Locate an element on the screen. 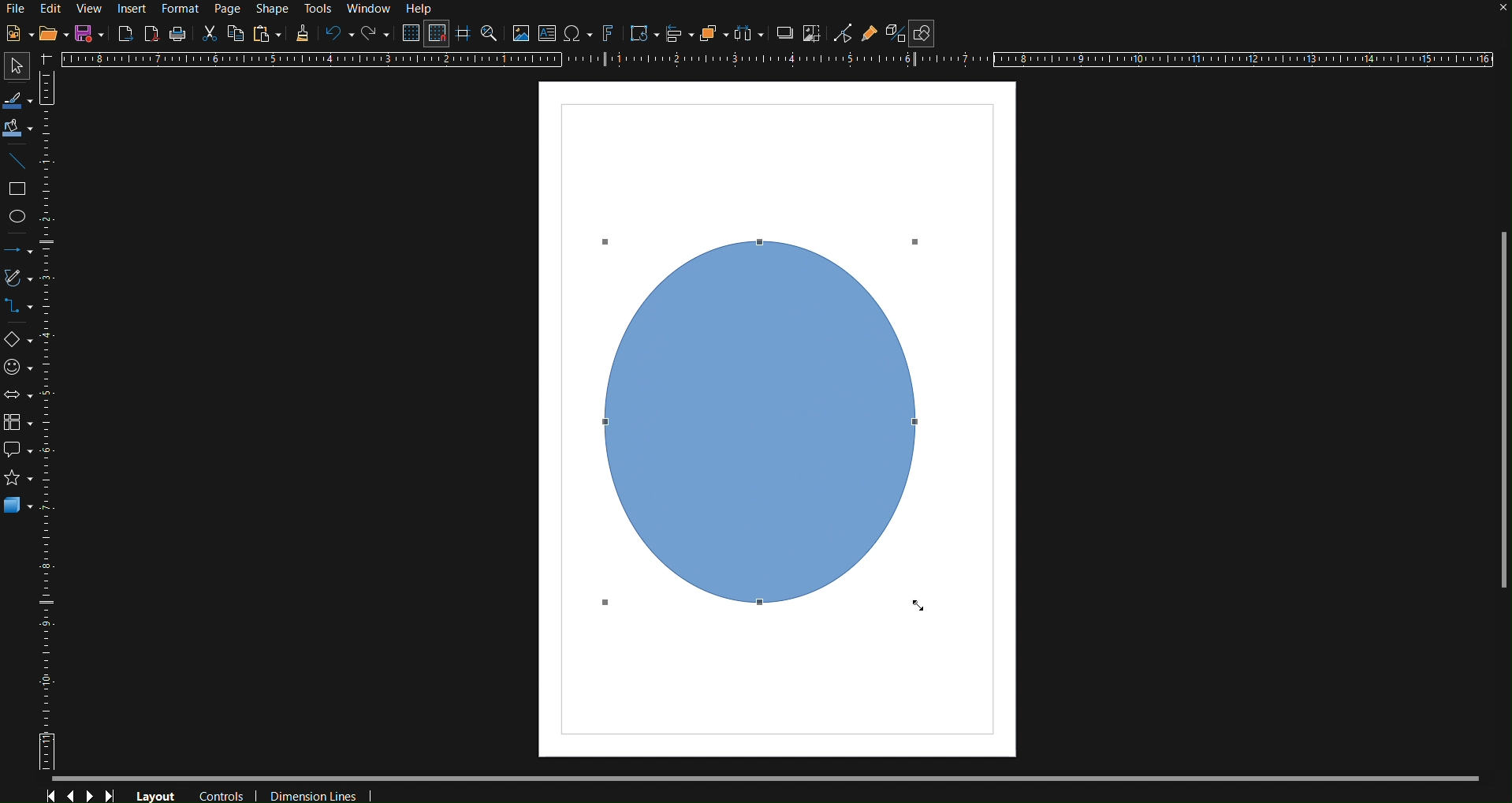 This screenshot has height=803, width=1512. Shadow is located at coordinates (781, 35).